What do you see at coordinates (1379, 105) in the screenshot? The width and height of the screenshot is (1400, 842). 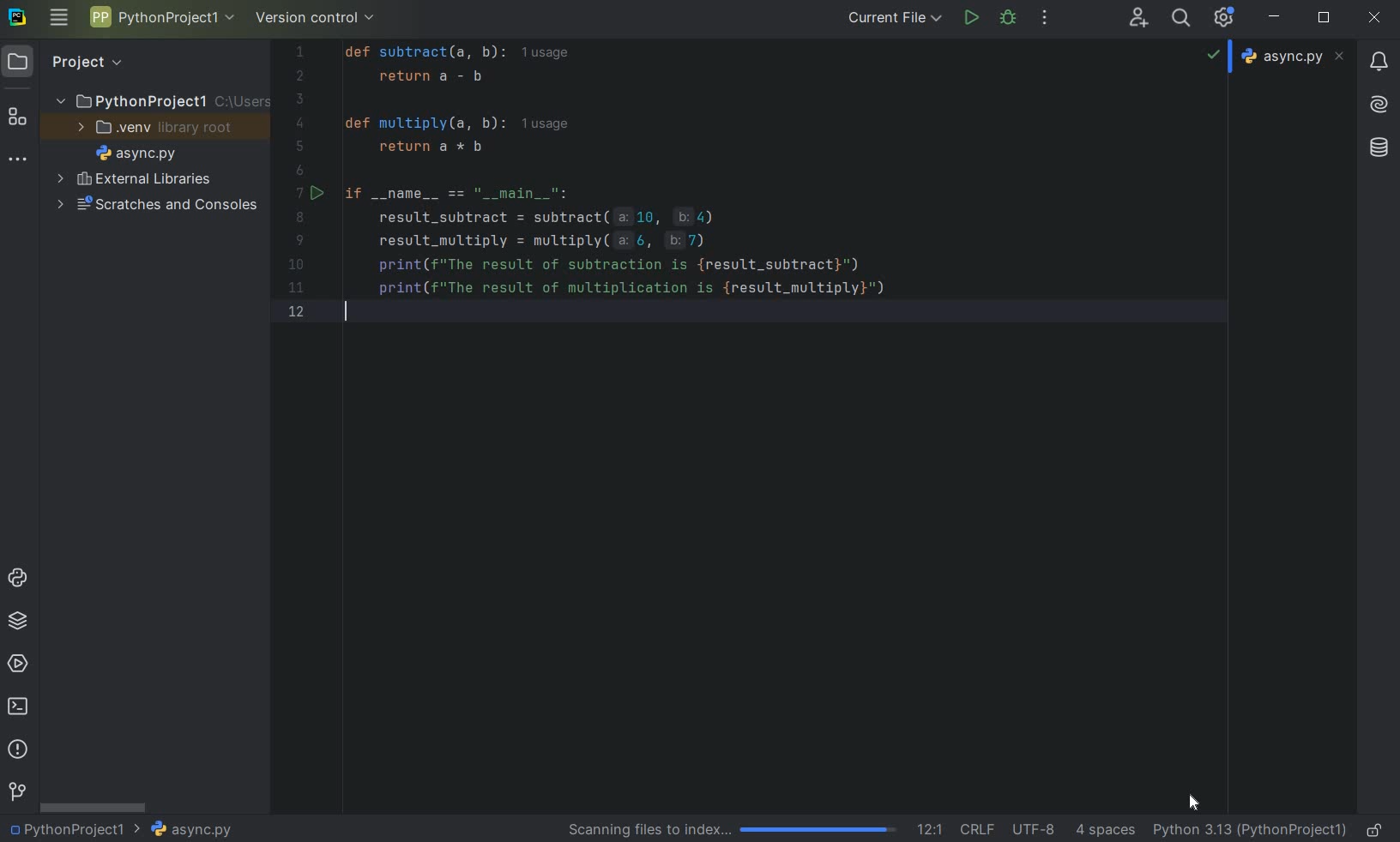 I see `AI Assistant` at bounding box center [1379, 105].